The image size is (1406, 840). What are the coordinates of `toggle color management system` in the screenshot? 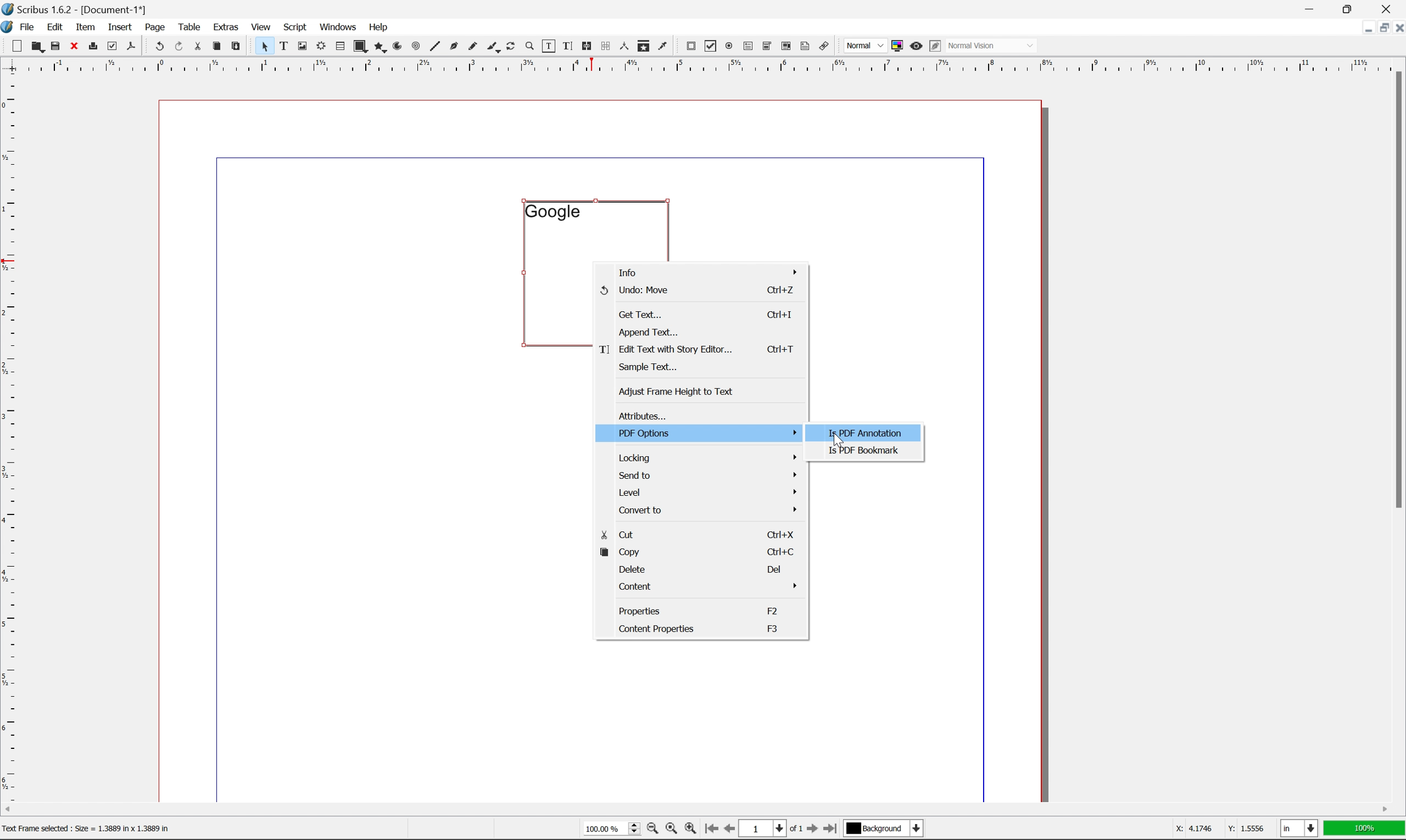 It's located at (895, 45).